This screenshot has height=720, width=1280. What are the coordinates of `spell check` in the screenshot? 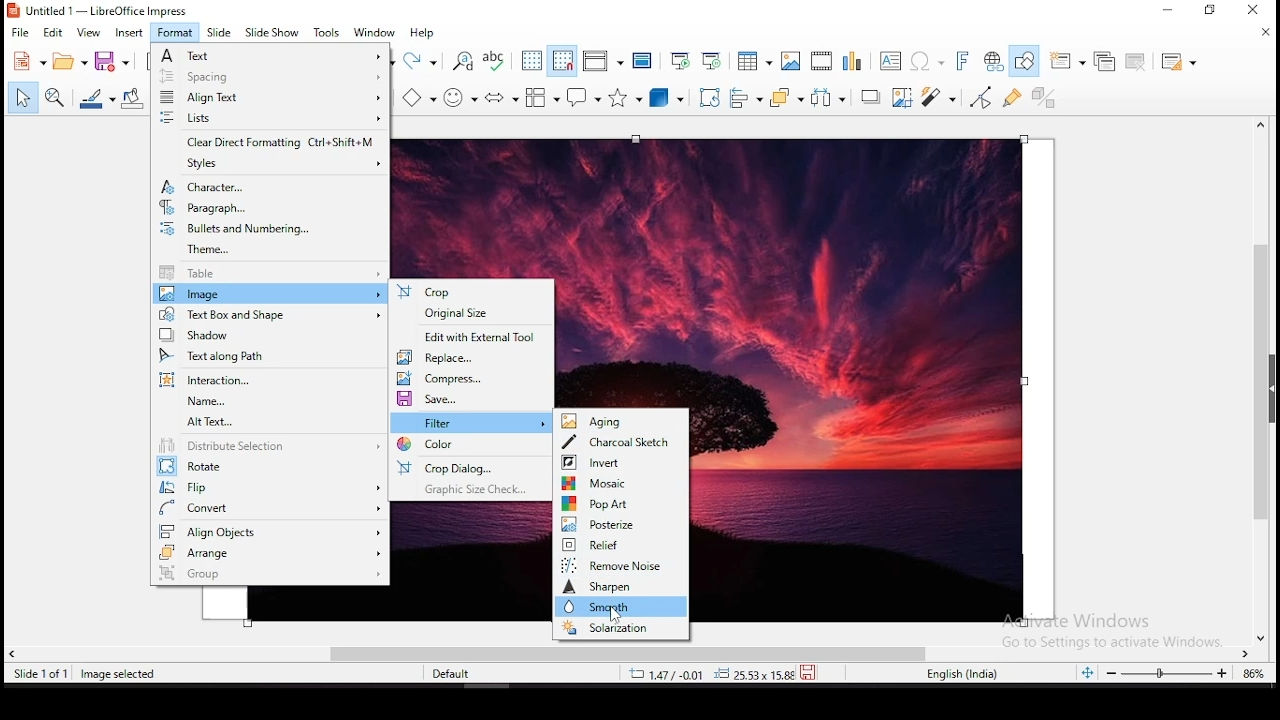 It's located at (496, 59).